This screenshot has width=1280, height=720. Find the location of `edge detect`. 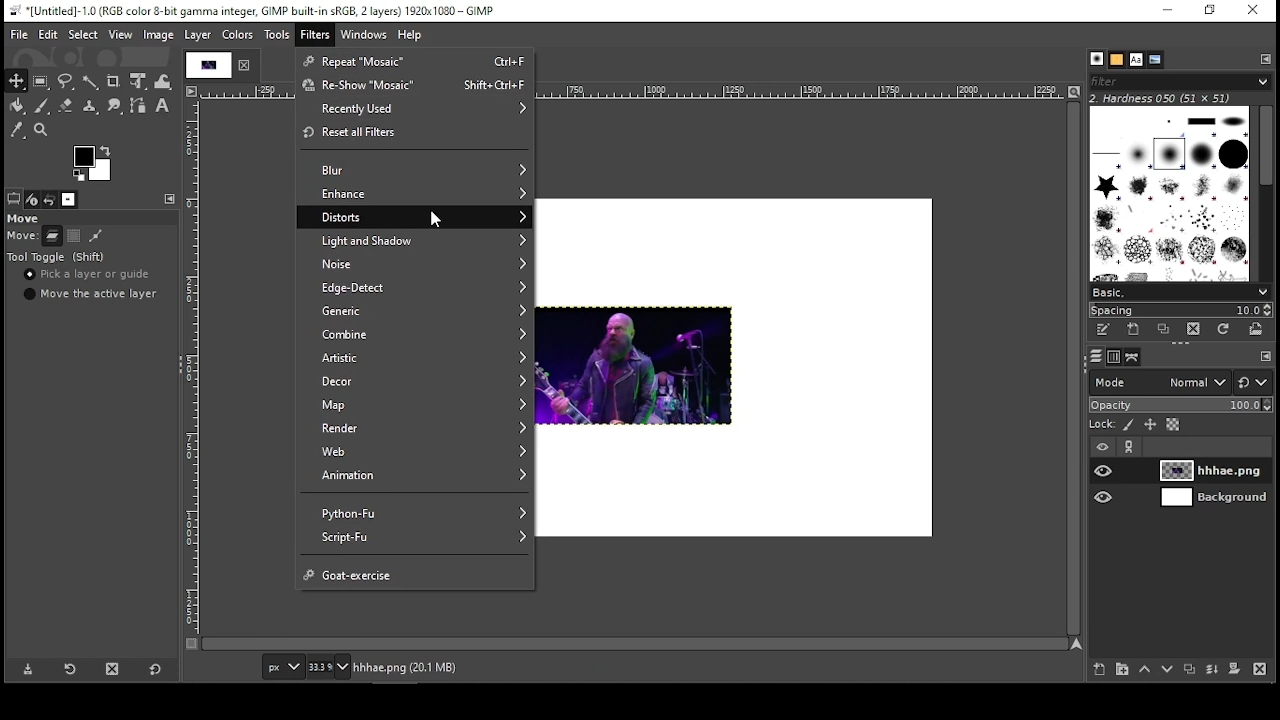

edge detect is located at coordinates (412, 287).